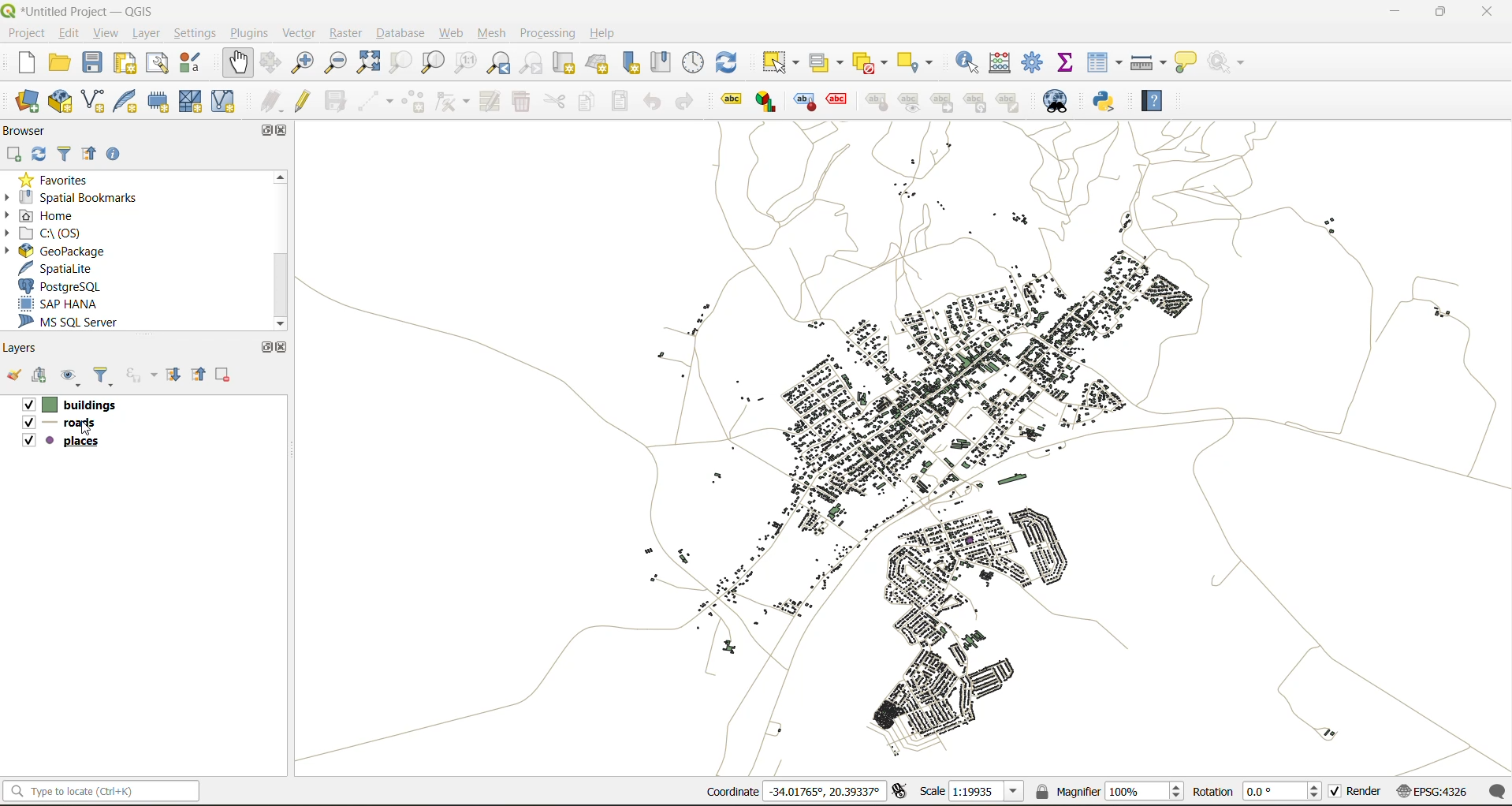 The height and width of the screenshot is (806, 1512). What do you see at coordinates (910, 102) in the screenshot?
I see `show\hide labels and diagrams` at bounding box center [910, 102].